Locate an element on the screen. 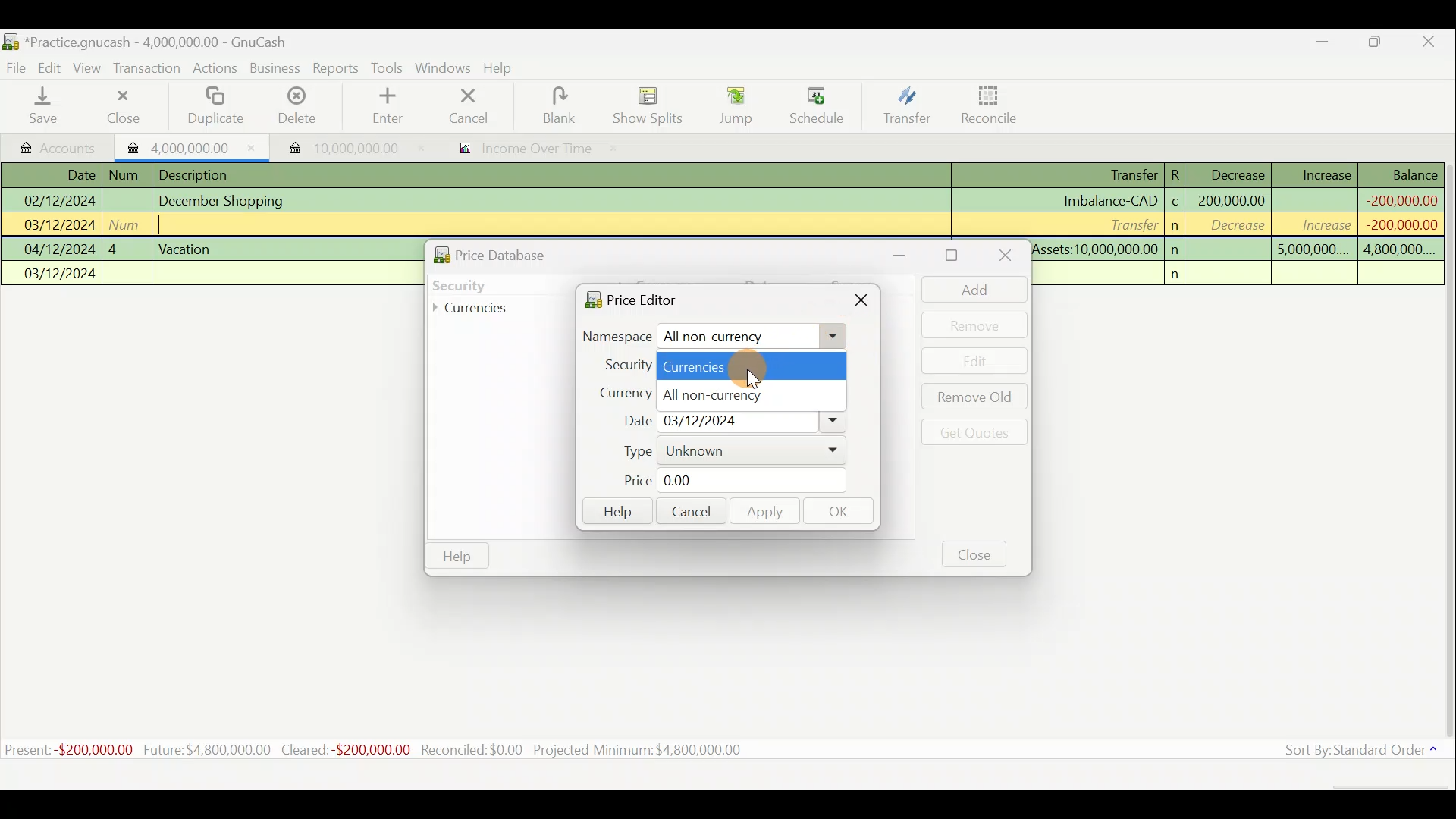 This screenshot has width=1456, height=819. Currencies is located at coordinates (752, 365).